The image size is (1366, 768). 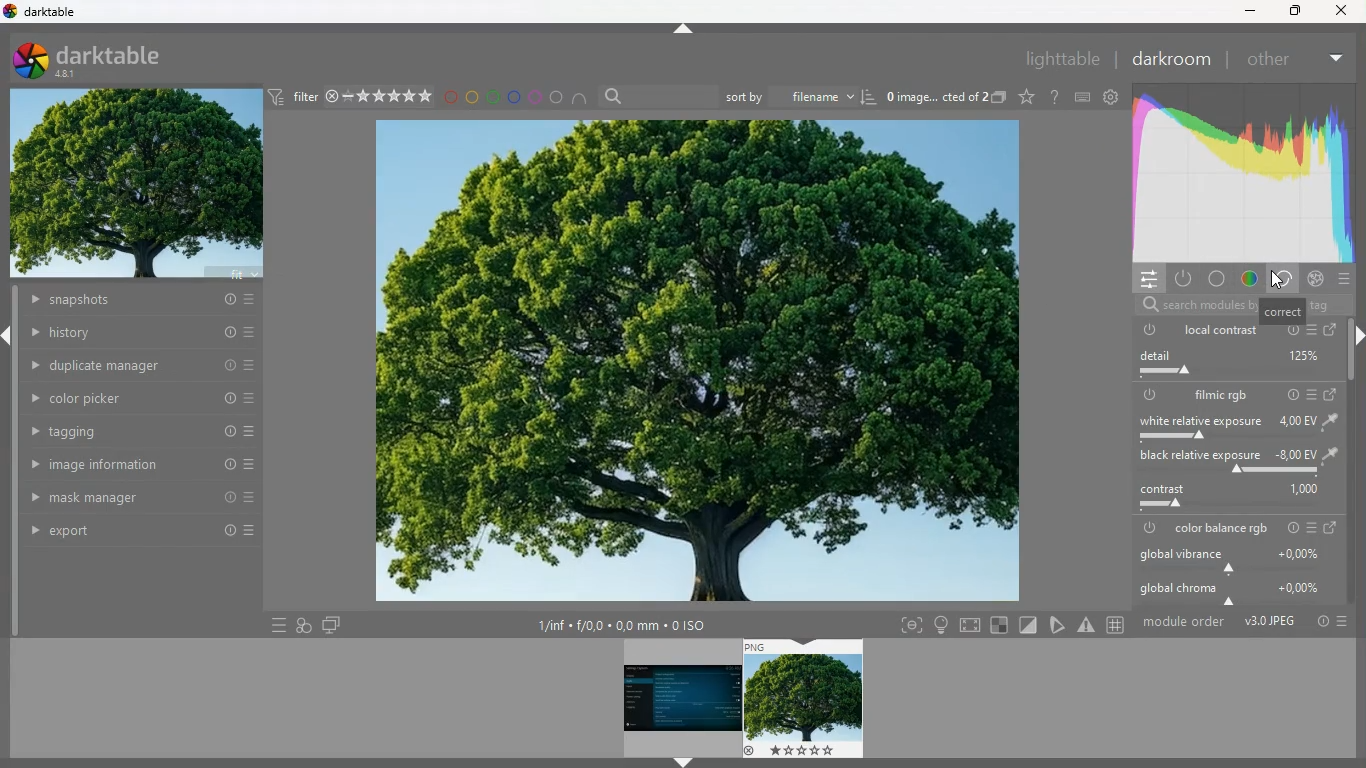 I want to click on screen, so click(x=332, y=626).